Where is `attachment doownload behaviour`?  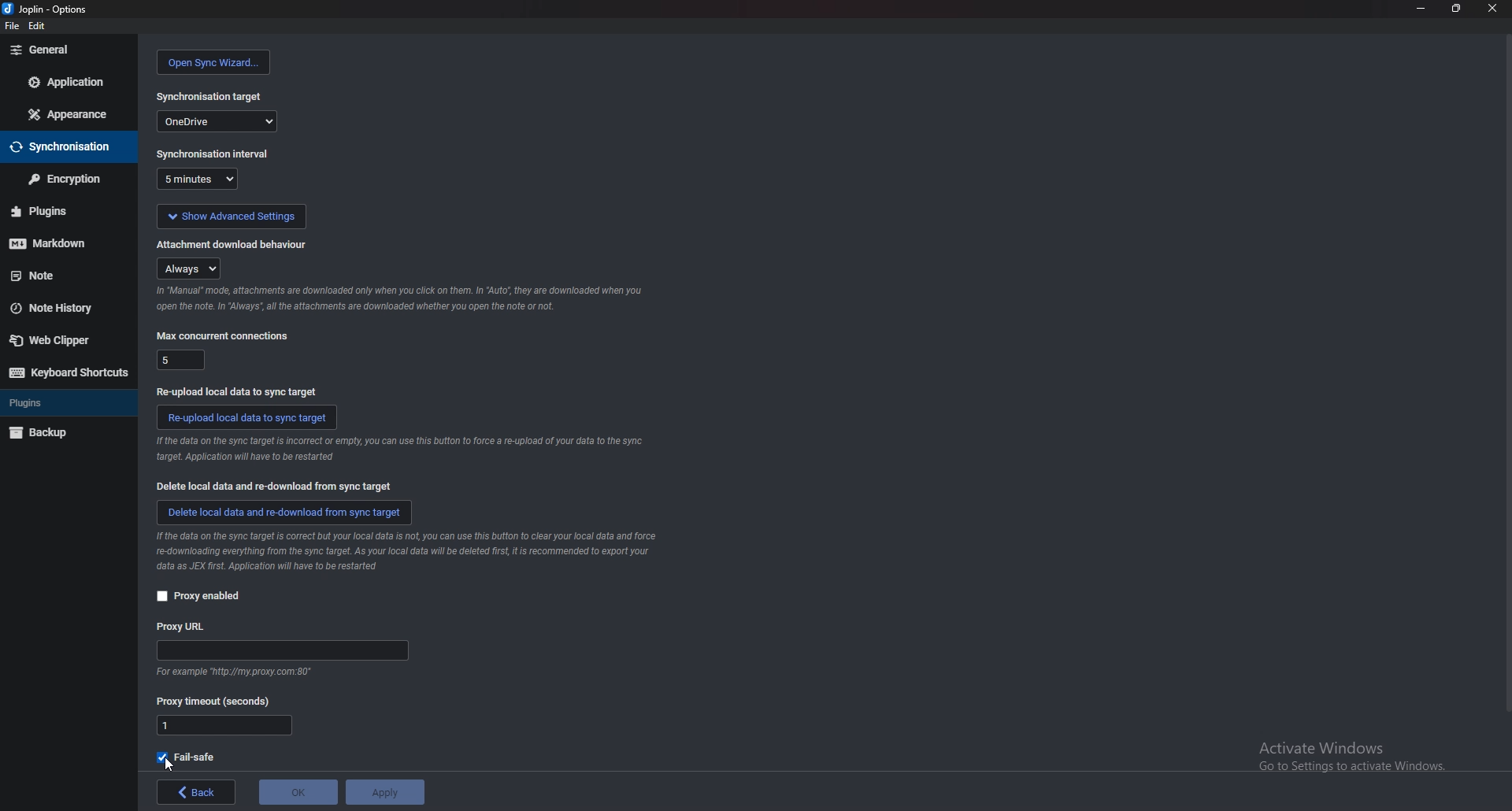
attachment doownload behaviour is located at coordinates (235, 244).